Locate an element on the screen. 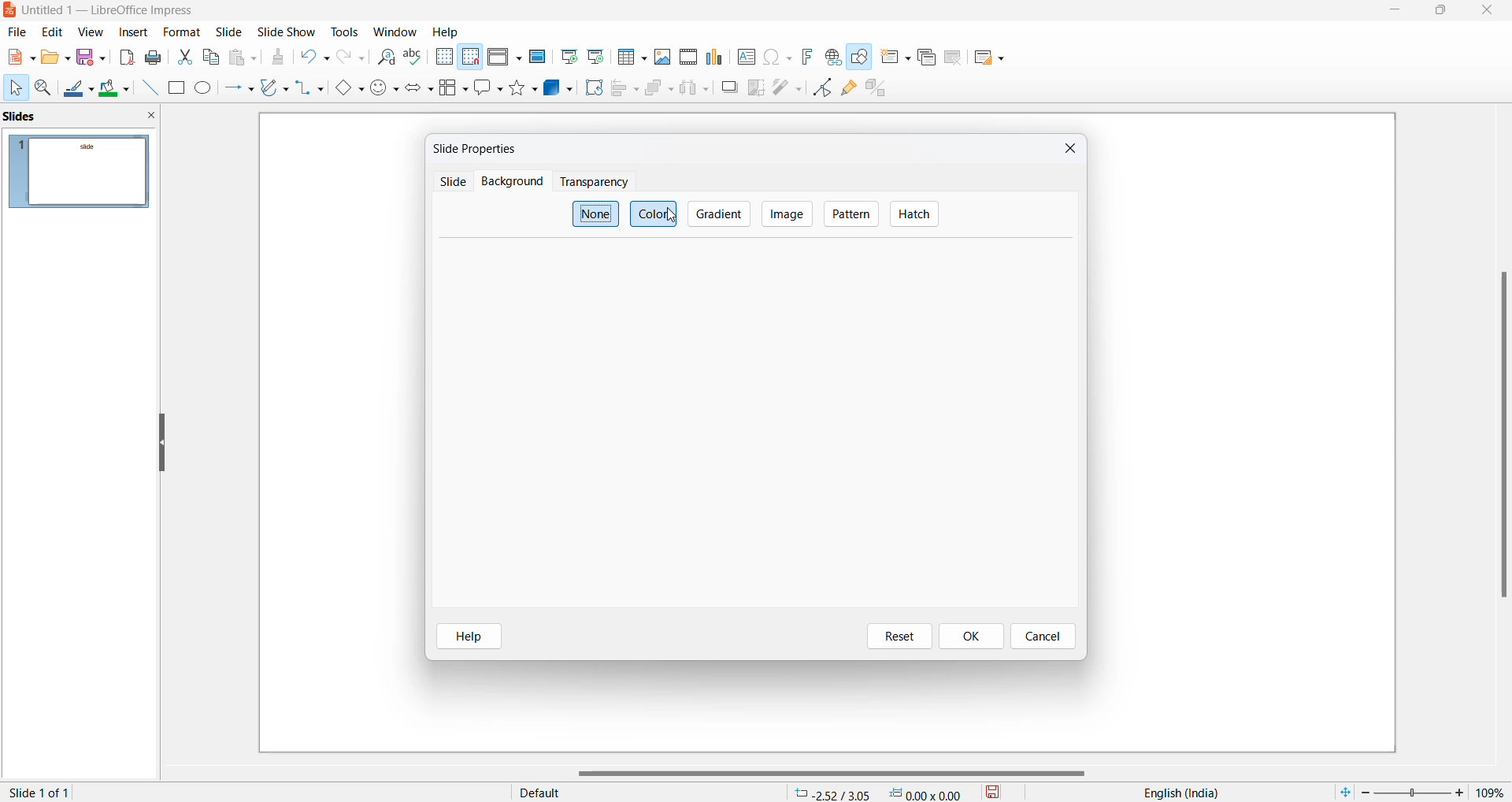  cursor is located at coordinates (673, 218).